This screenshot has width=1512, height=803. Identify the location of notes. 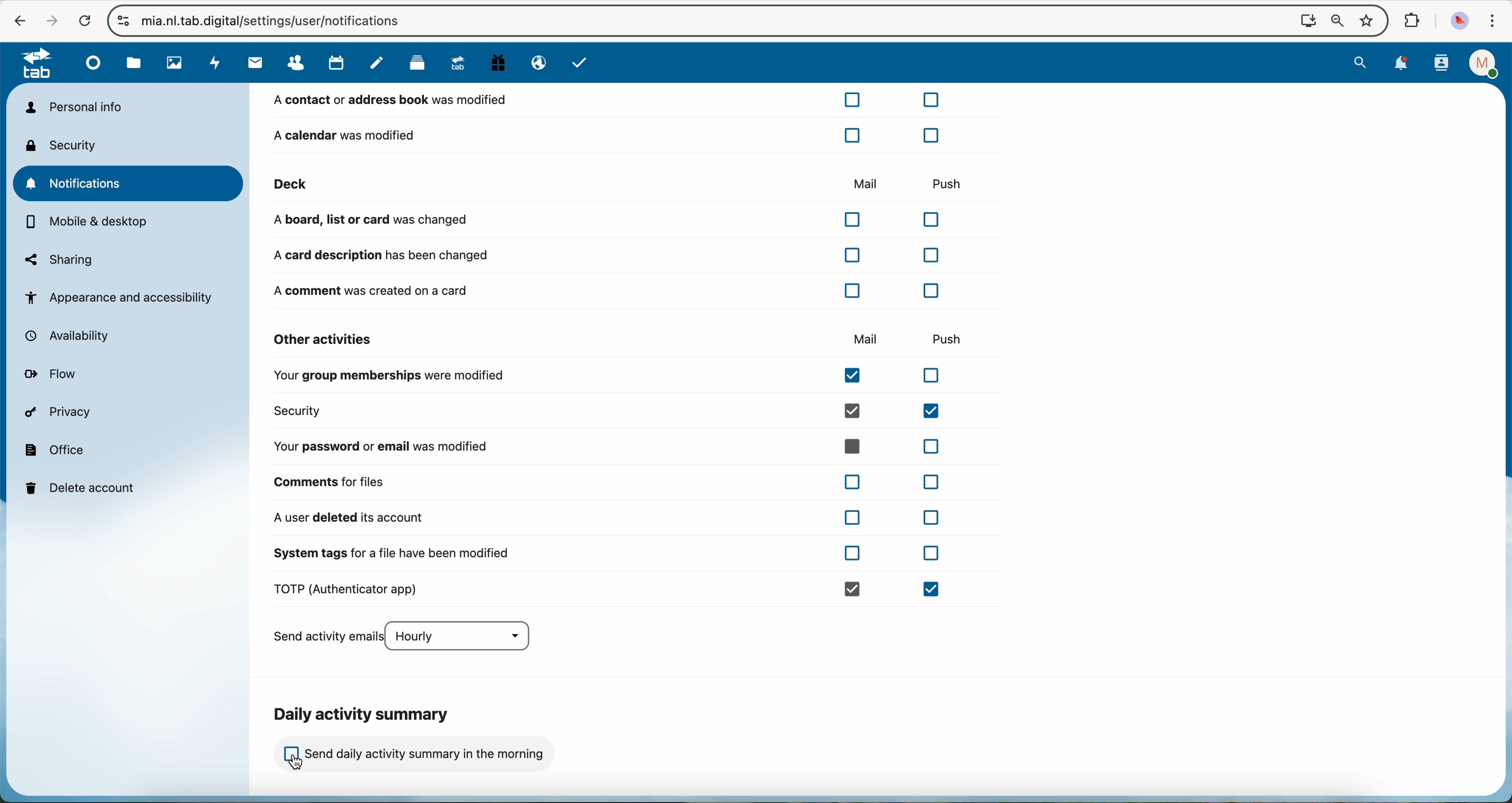
(377, 63).